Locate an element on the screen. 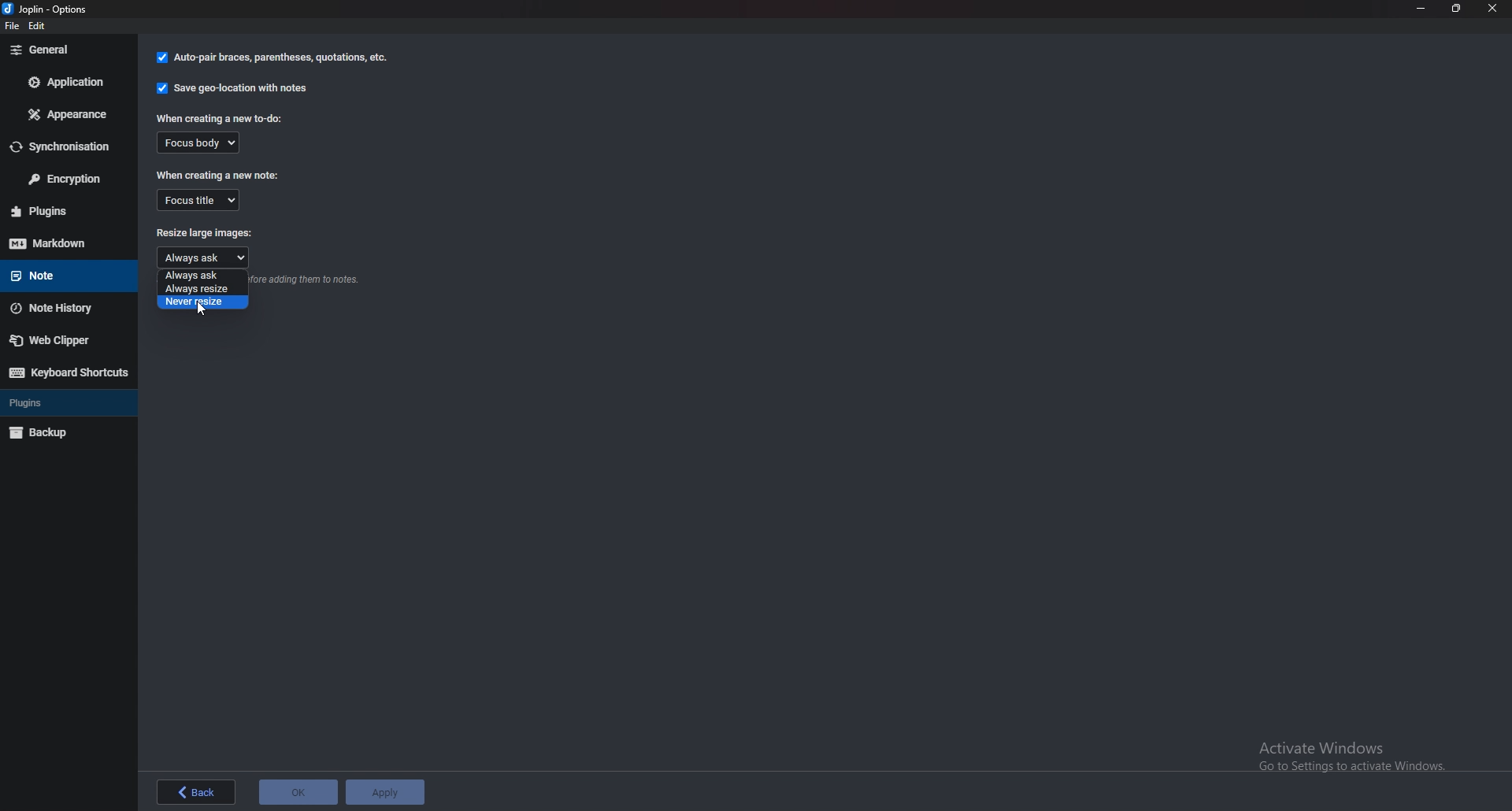 The image size is (1512, 811). note is located at coordinates (61, 274).